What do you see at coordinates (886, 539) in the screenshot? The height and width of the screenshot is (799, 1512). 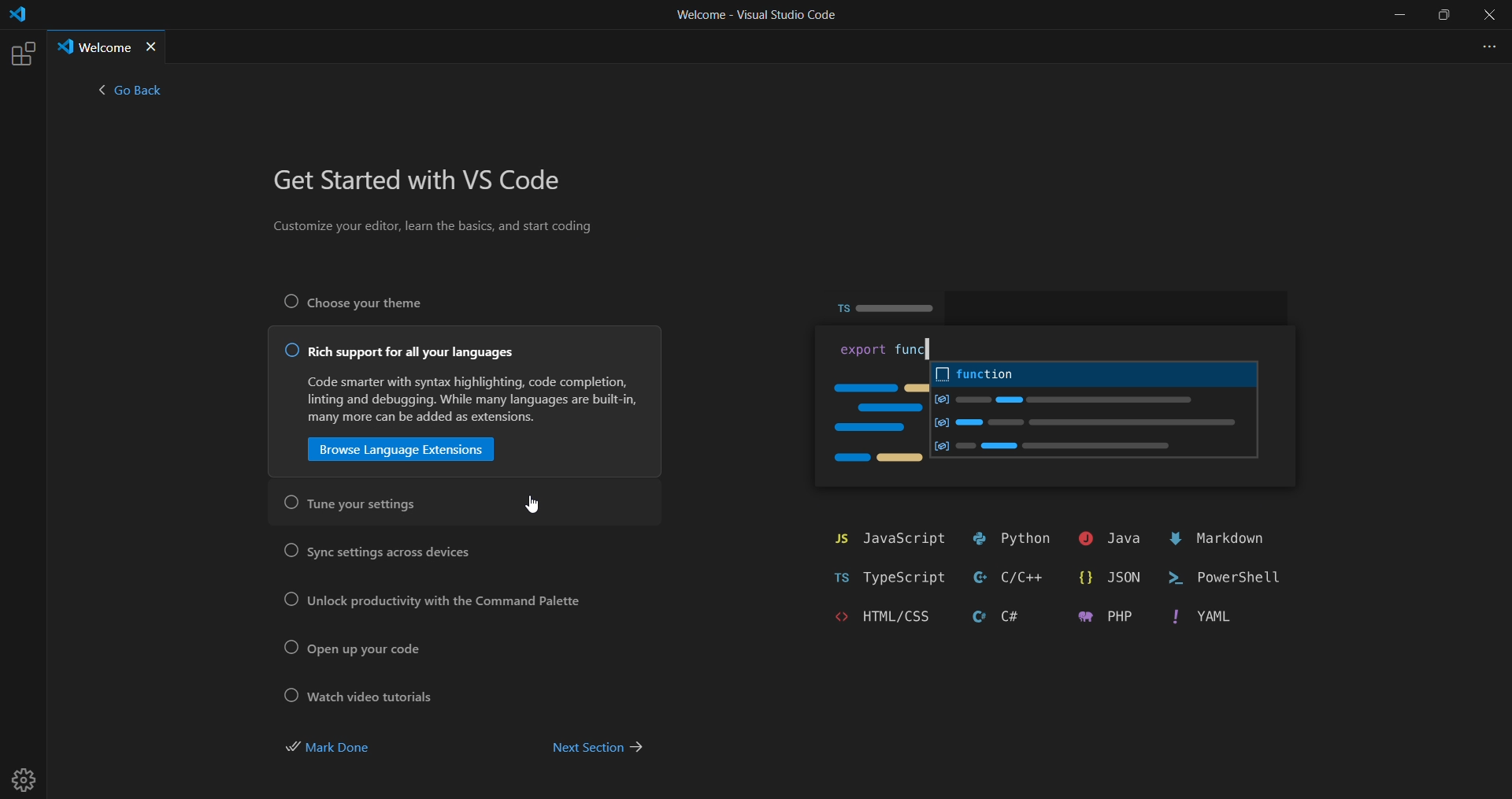 I see `JavaScript` at bounding box center [886, 539].